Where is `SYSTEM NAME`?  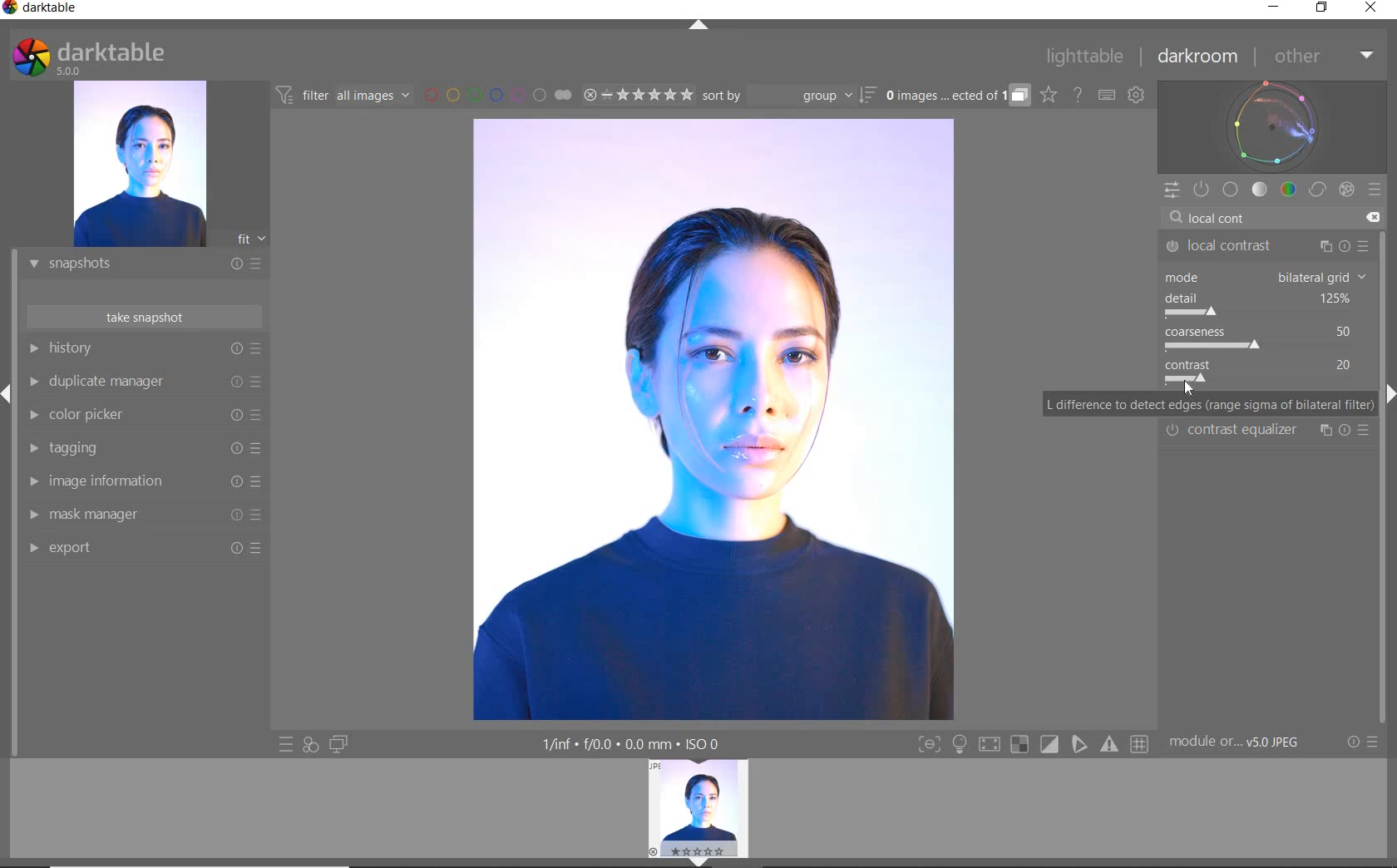 SYSTEM NAME is located at coordinates (43, 11).